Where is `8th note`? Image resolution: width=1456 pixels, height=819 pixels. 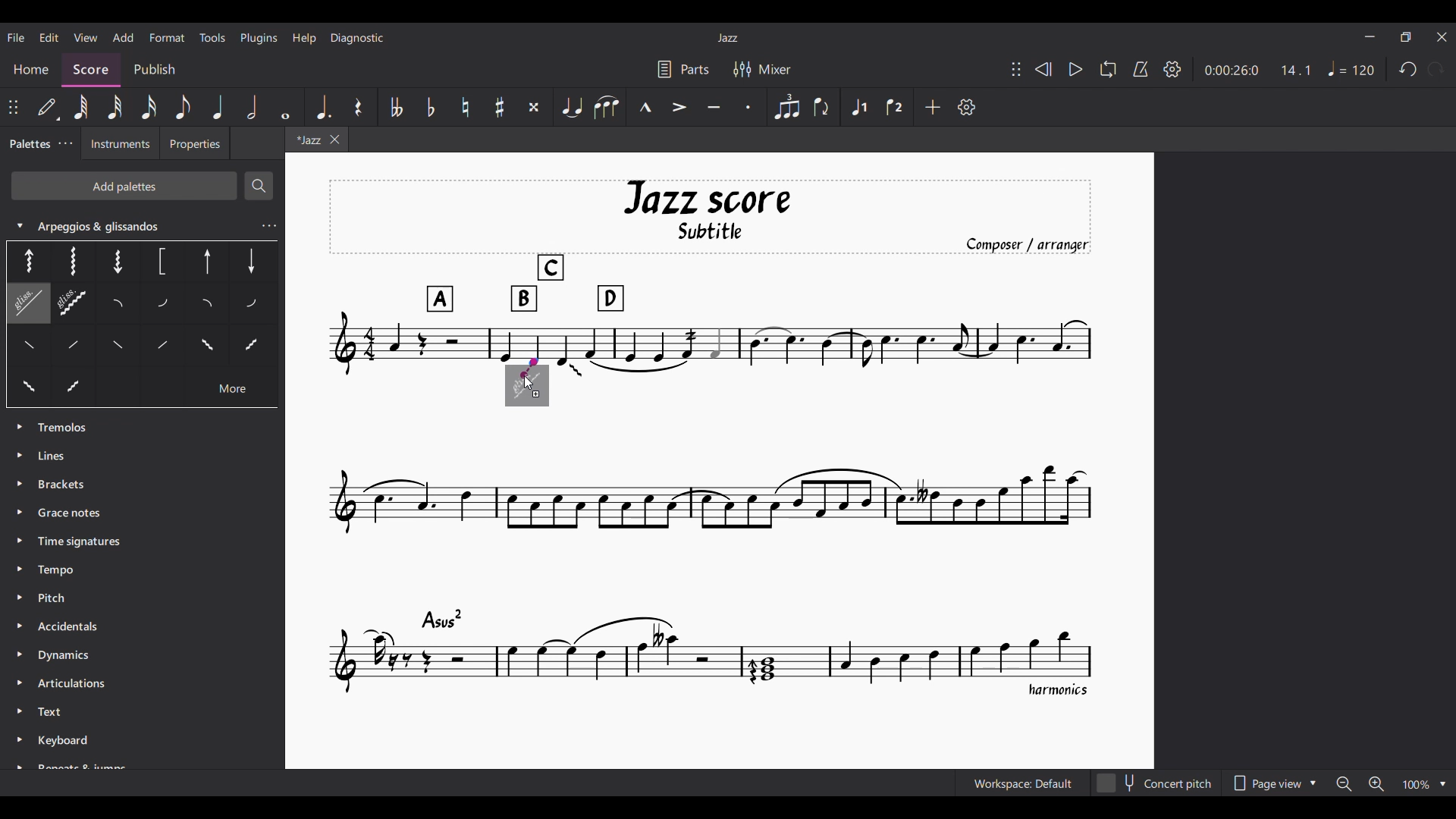
8th note is located at coordinates (184, 107).